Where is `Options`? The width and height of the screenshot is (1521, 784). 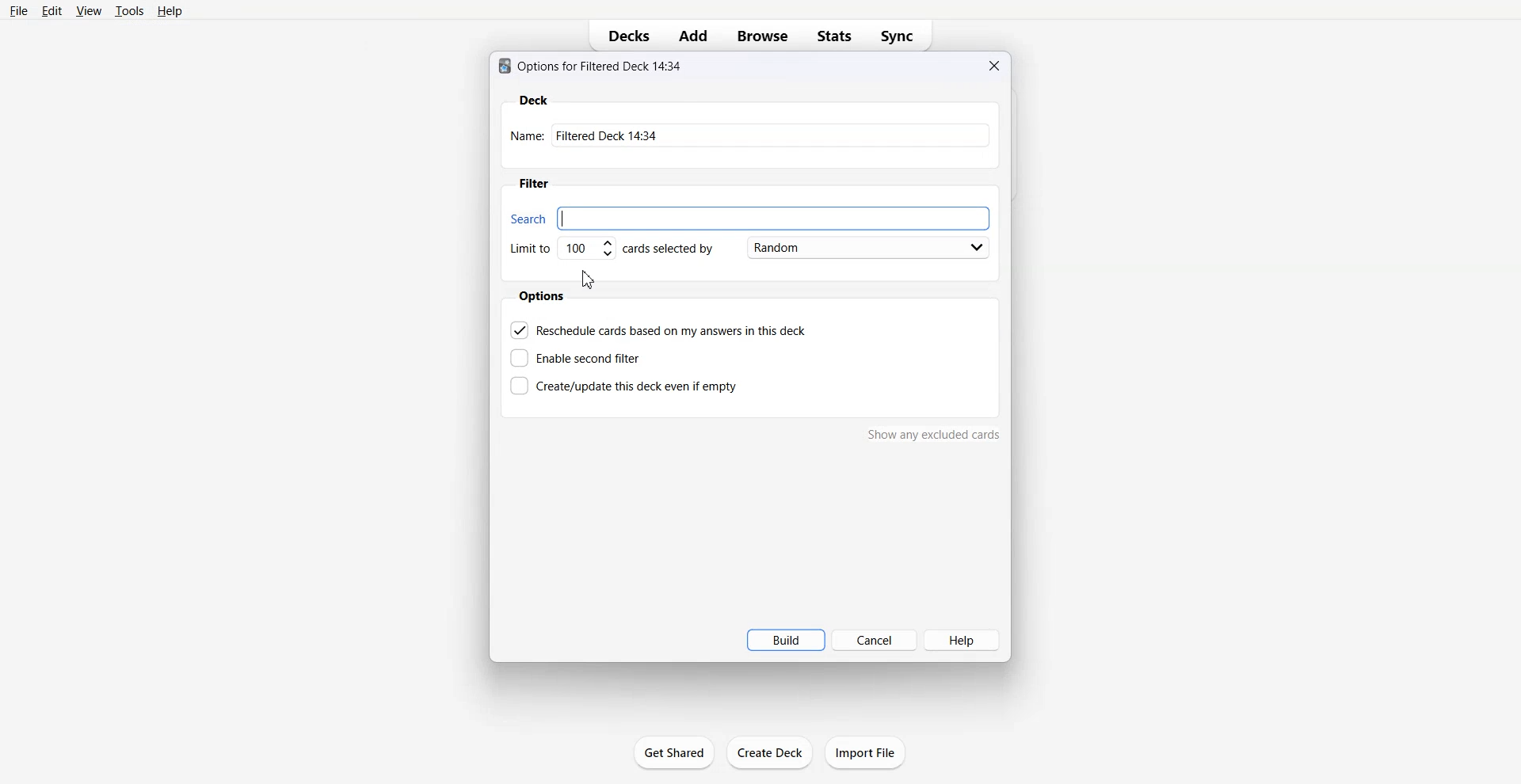 Options is located at coordinates (542, 296).